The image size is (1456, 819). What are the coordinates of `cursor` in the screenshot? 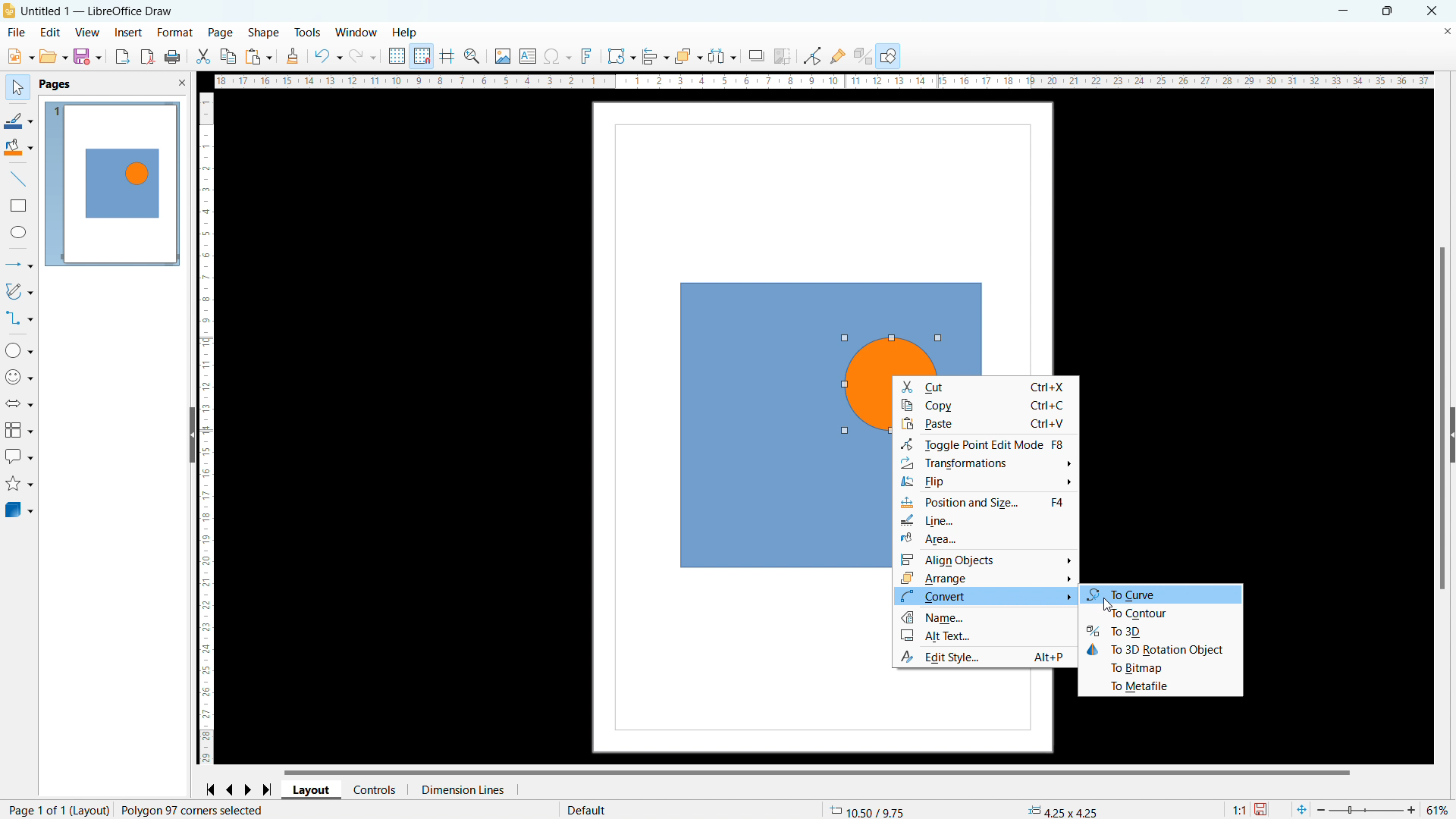 It's located at (1112, 607).